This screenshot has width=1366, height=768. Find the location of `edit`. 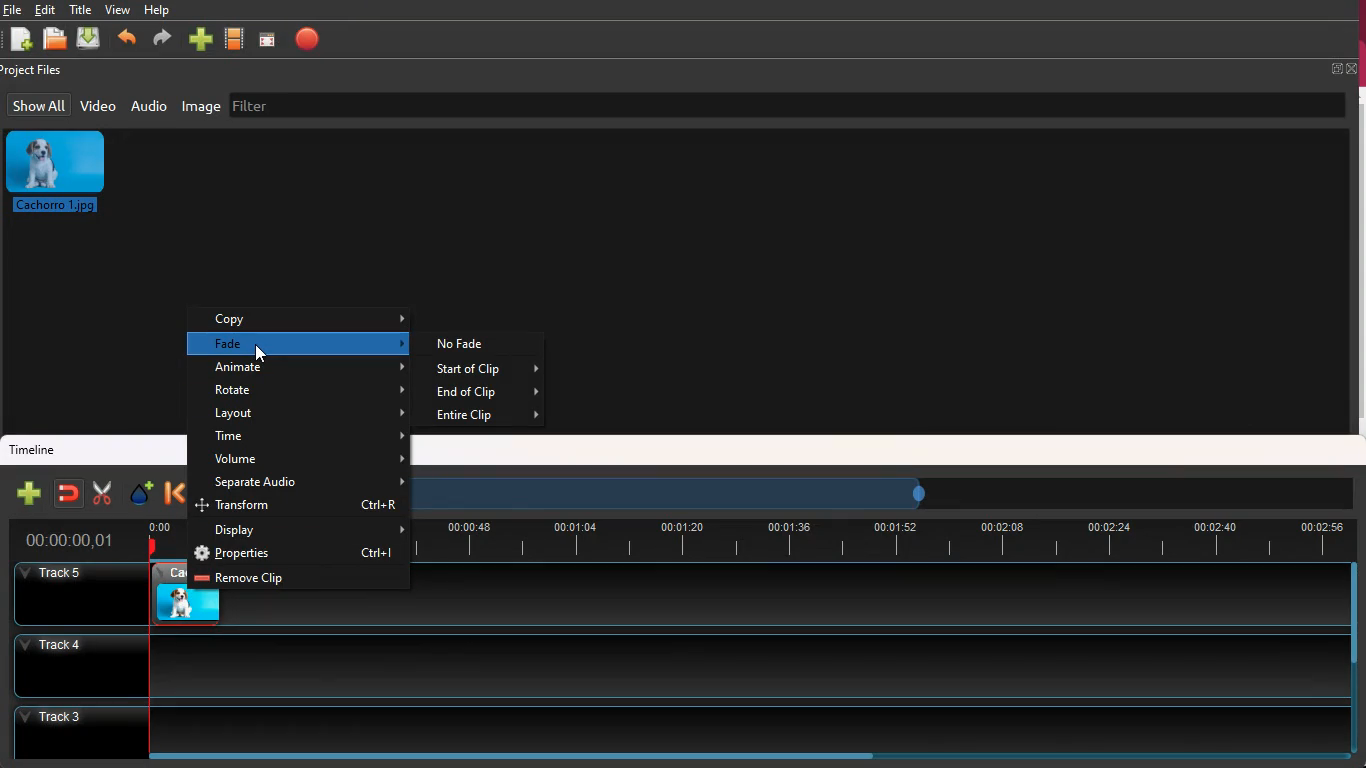

edit is located at coordinates (47, 10).